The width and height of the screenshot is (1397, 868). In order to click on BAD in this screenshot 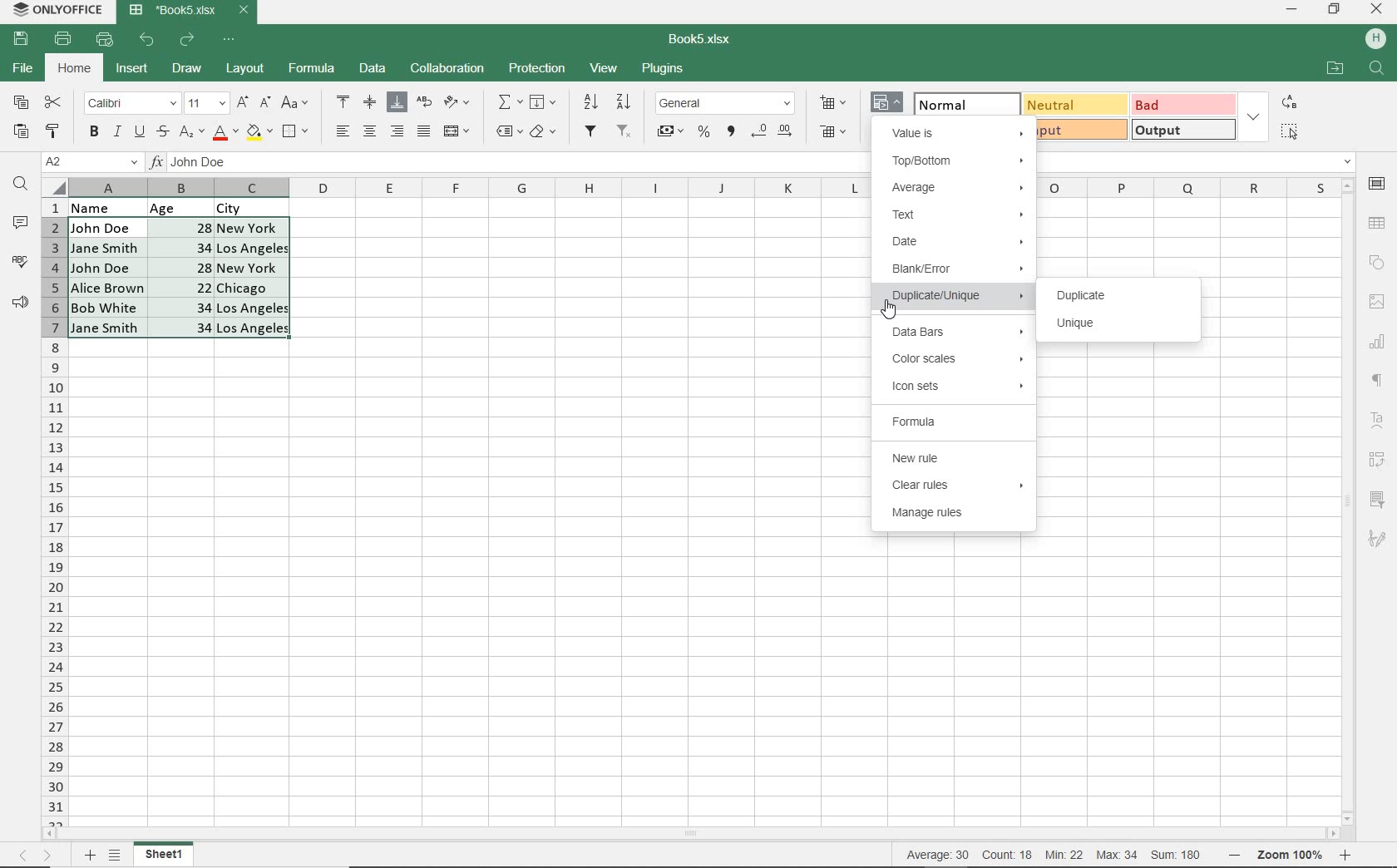, I will do `click(1182, 104)`.